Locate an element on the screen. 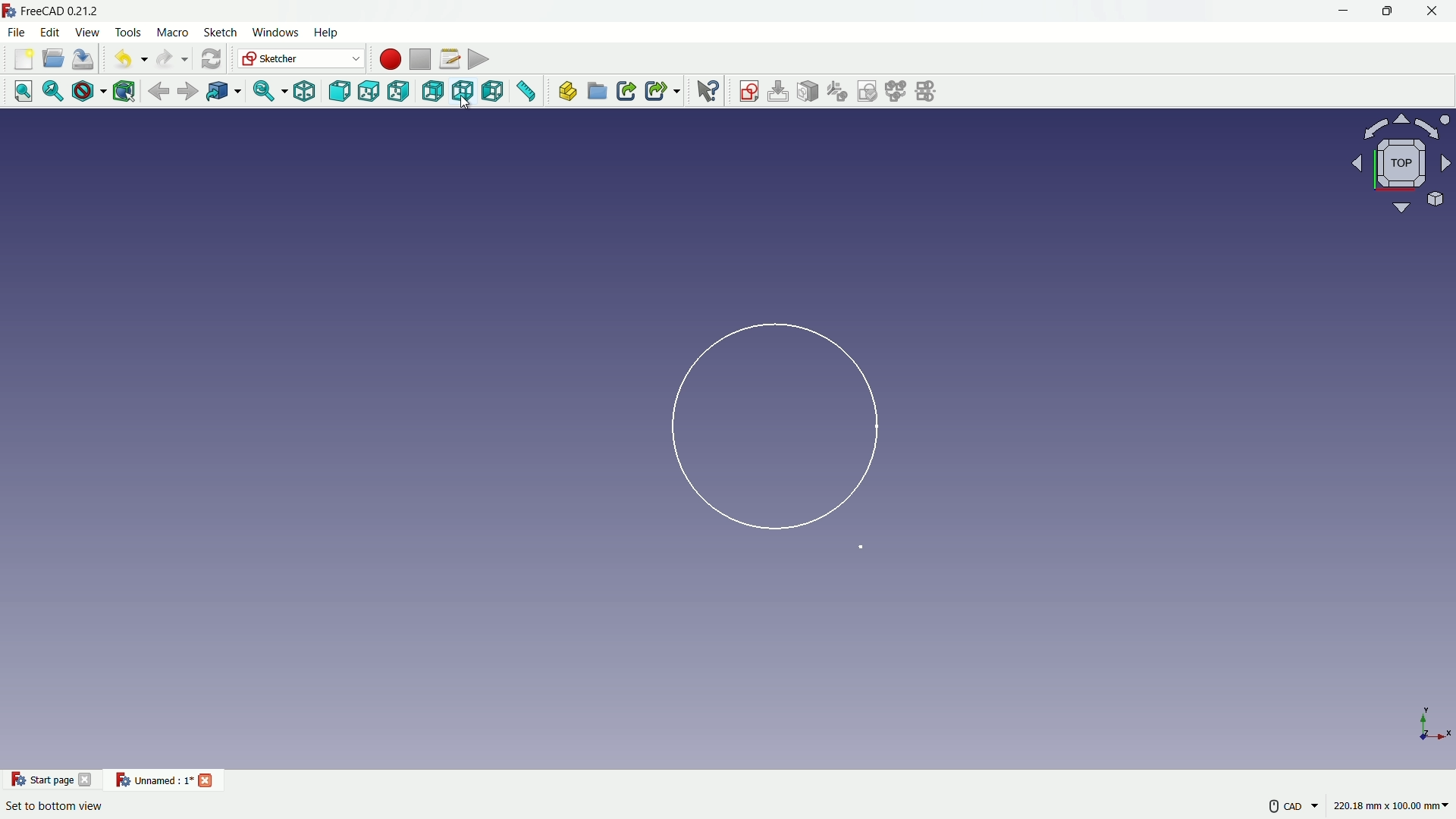 The image size is (1456, 819). view menu is located at coordinates (89, 33).